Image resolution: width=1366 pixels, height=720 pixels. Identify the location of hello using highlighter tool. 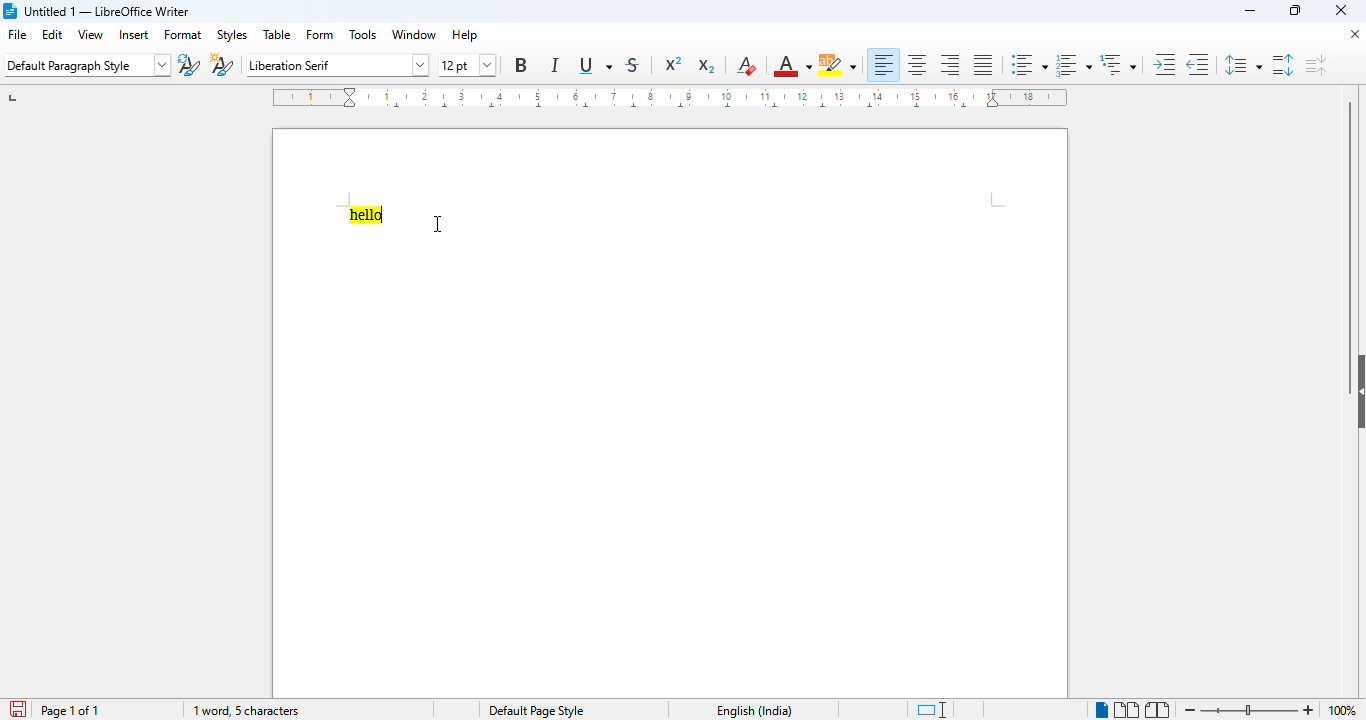
(366, 215).